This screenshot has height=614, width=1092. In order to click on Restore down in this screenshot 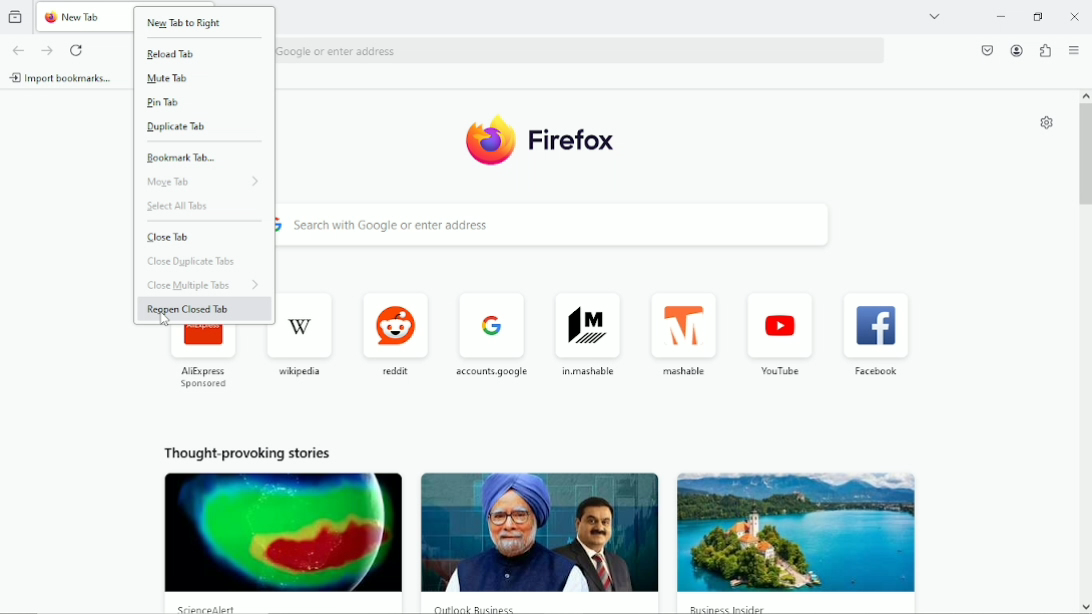, I will do `click(1040, 15)`.